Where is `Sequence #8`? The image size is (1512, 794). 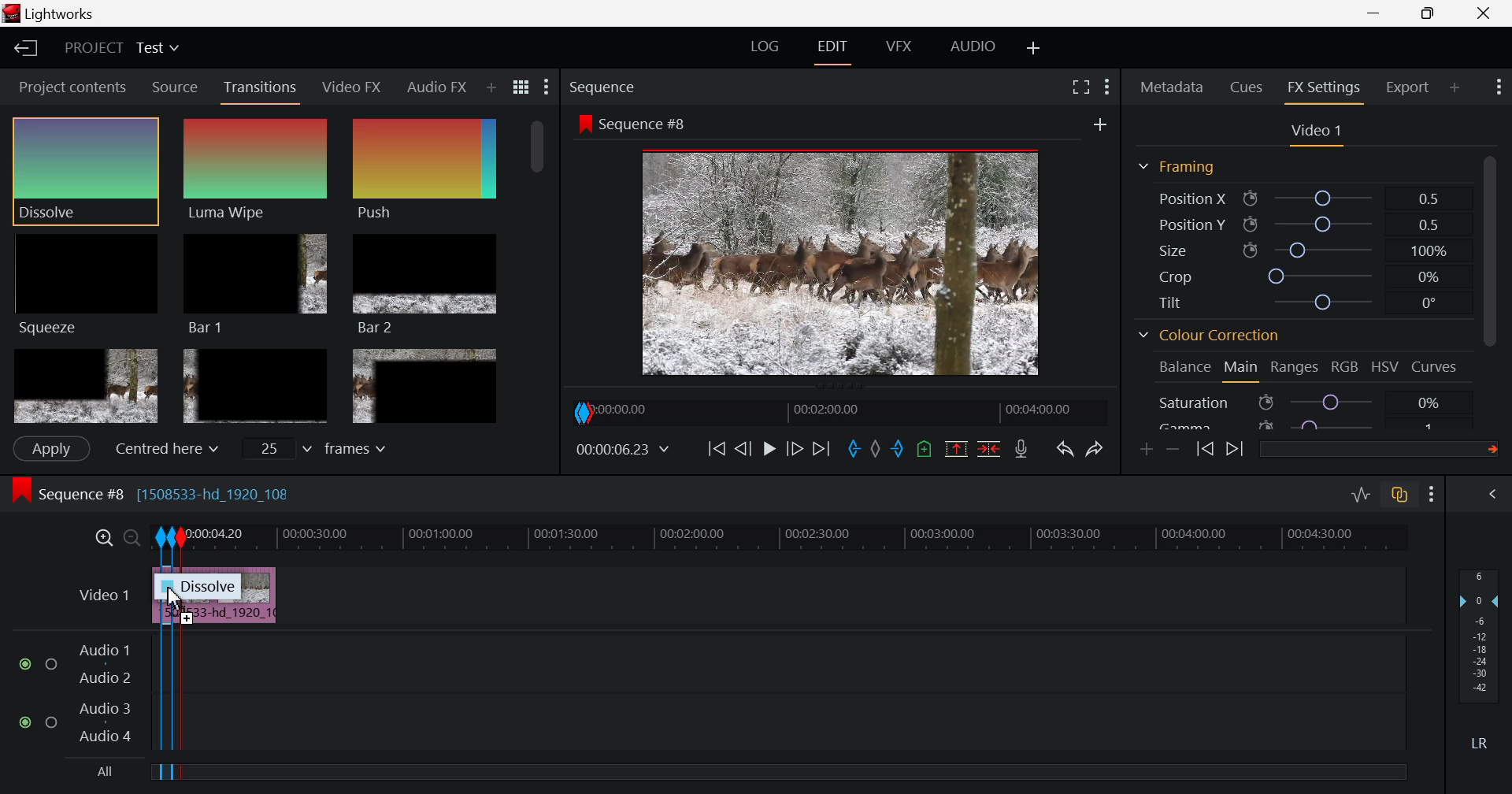
Sequence #8 is located at coordinates (632, 124).